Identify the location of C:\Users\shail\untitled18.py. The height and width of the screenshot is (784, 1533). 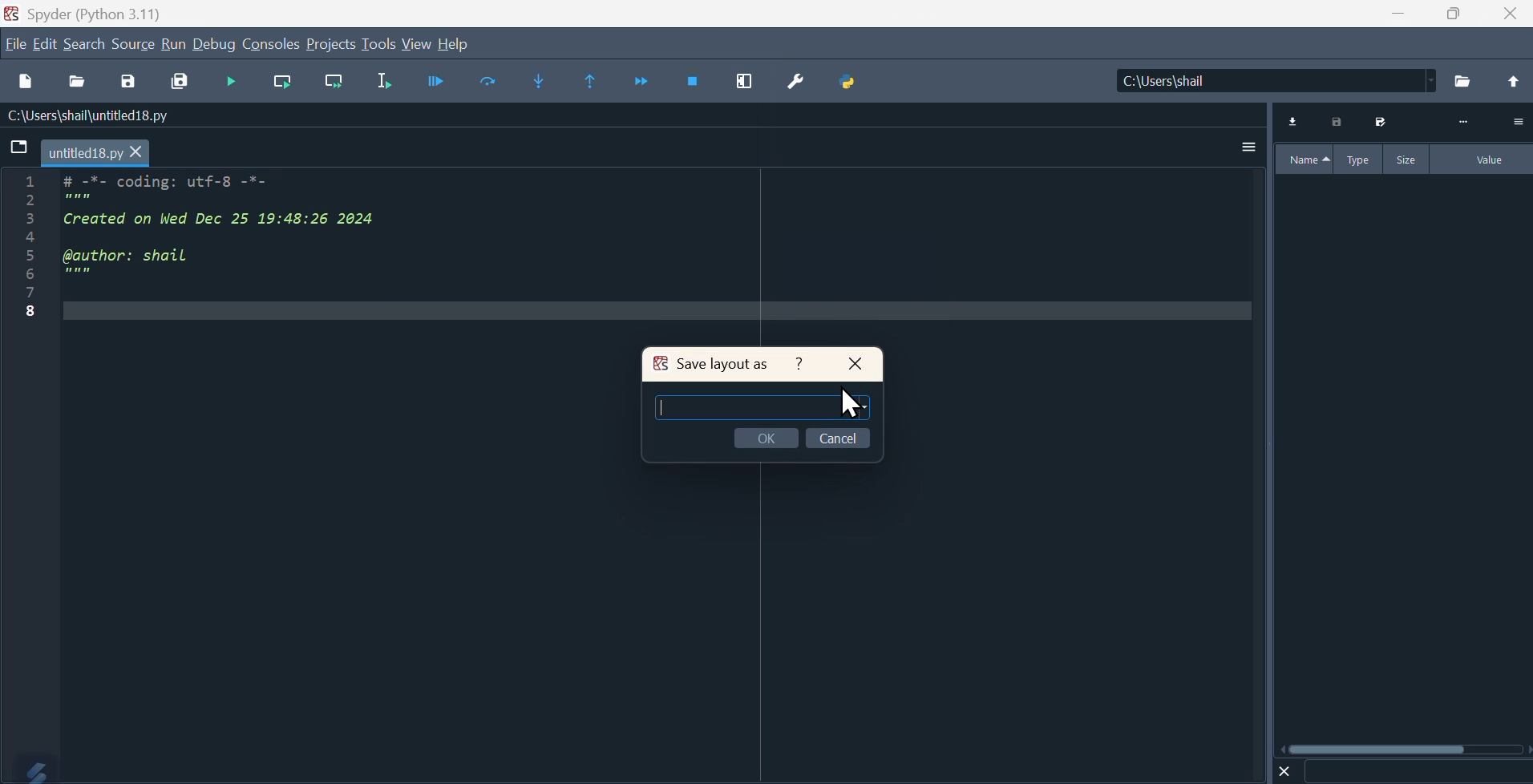
(85, 117).